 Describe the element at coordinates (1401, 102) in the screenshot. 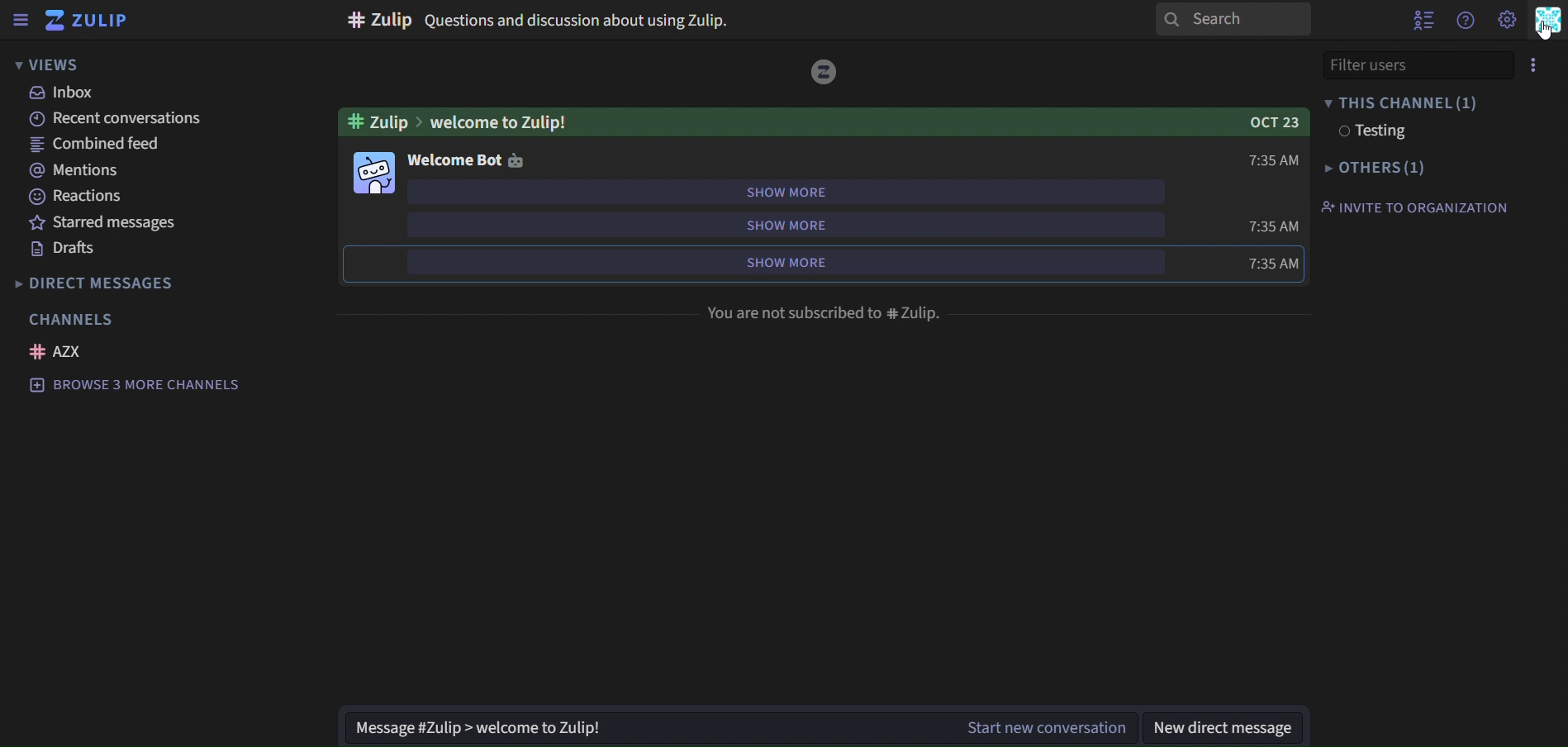

I see `this channel` at that location.